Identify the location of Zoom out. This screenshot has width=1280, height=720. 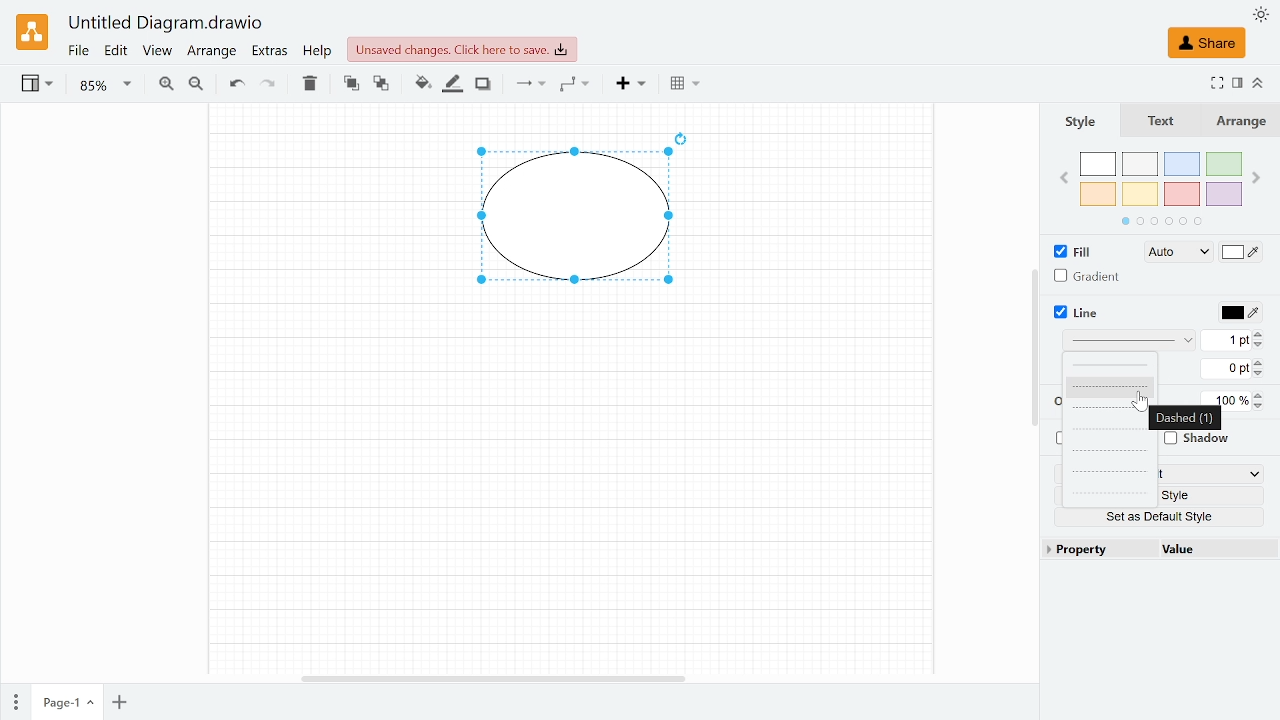
(199, 86).